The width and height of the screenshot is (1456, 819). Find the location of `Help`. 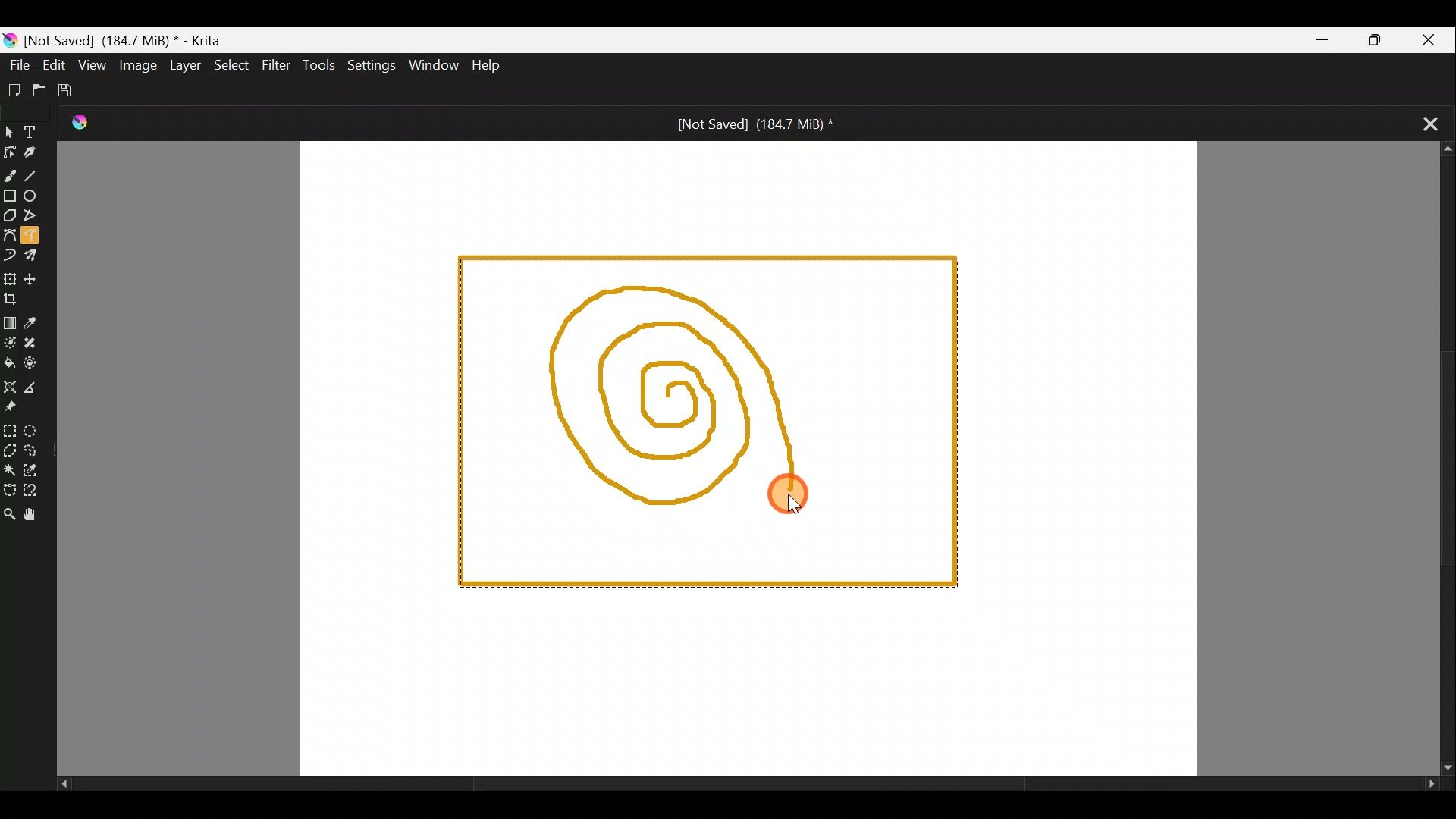

Help is located at coordinates (495, 64).